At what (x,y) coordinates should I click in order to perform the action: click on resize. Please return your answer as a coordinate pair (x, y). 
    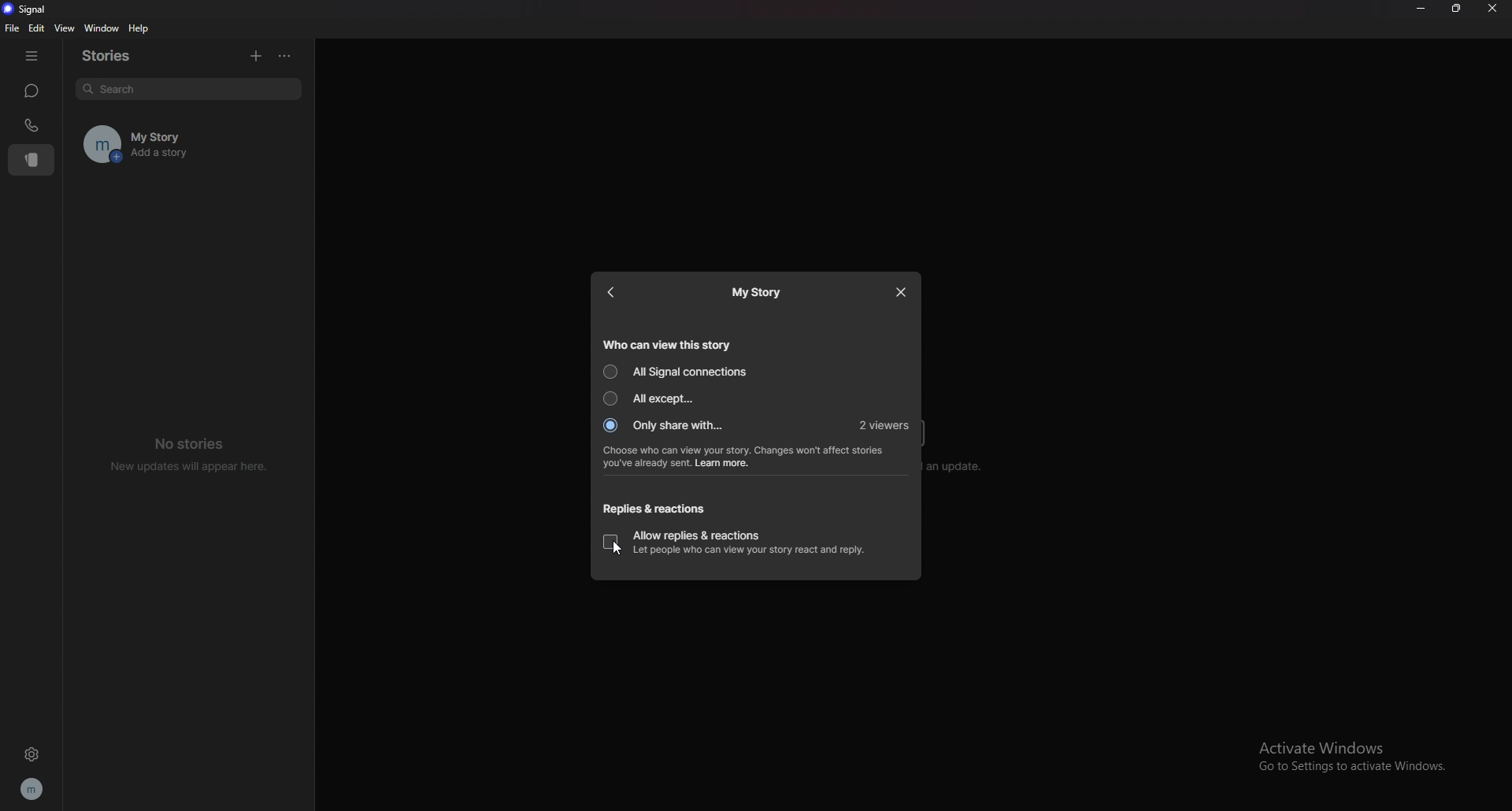
    Looking at the image, I should click on (1456, 9).